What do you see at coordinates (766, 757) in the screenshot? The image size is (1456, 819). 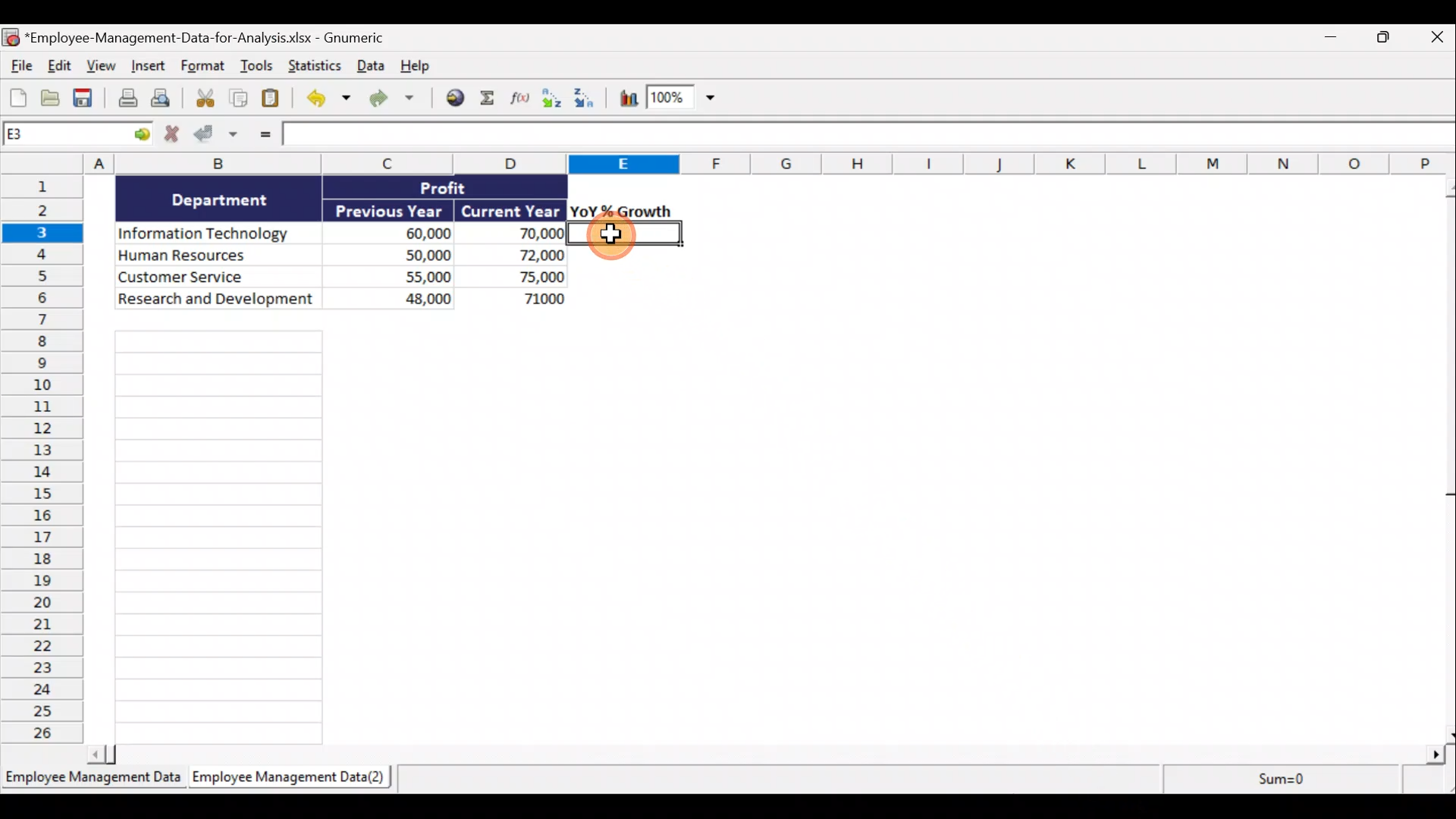 I see `Scroll bar` at bounding box center [766, 757].